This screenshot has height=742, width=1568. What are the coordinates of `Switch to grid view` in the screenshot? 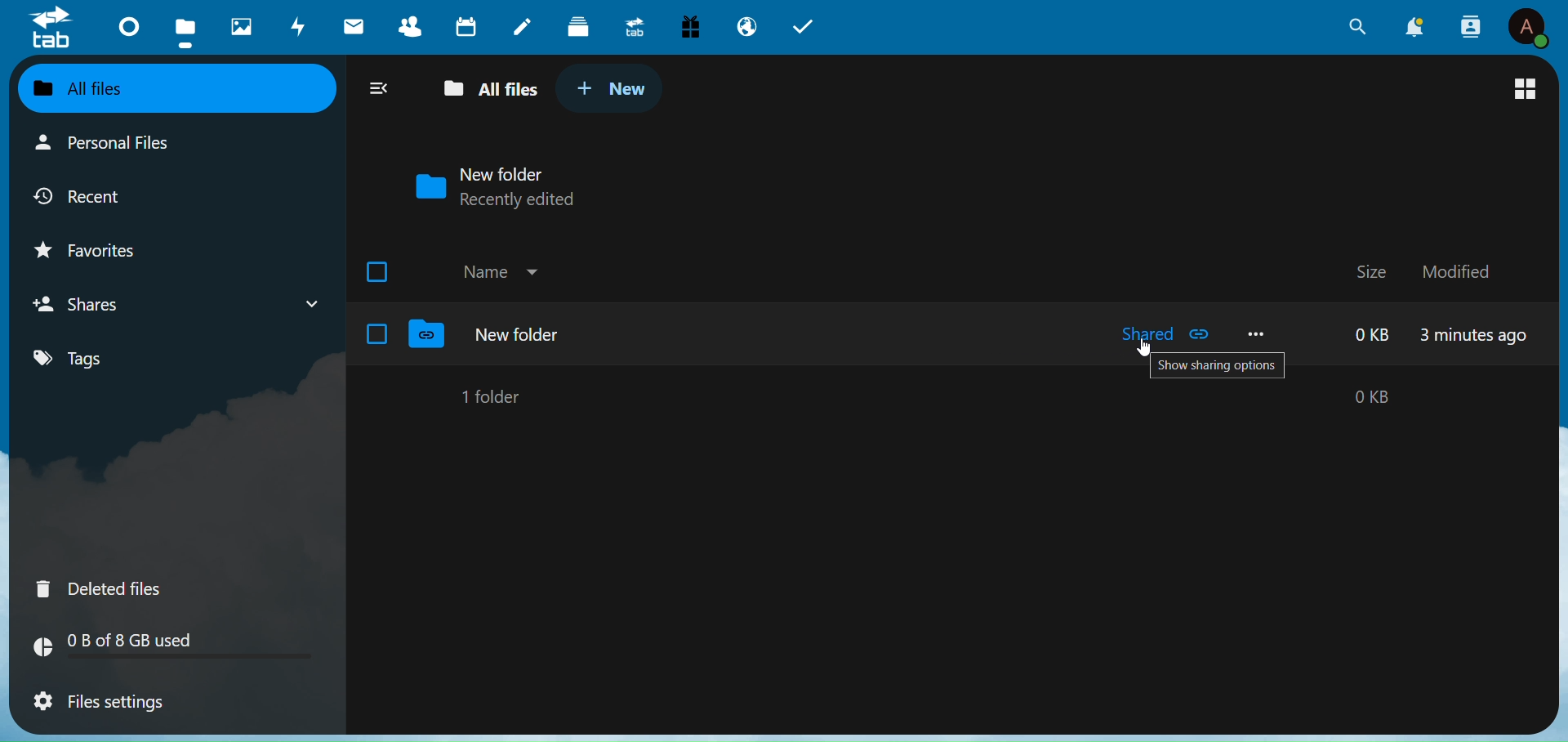 It's located at (1519, 86).